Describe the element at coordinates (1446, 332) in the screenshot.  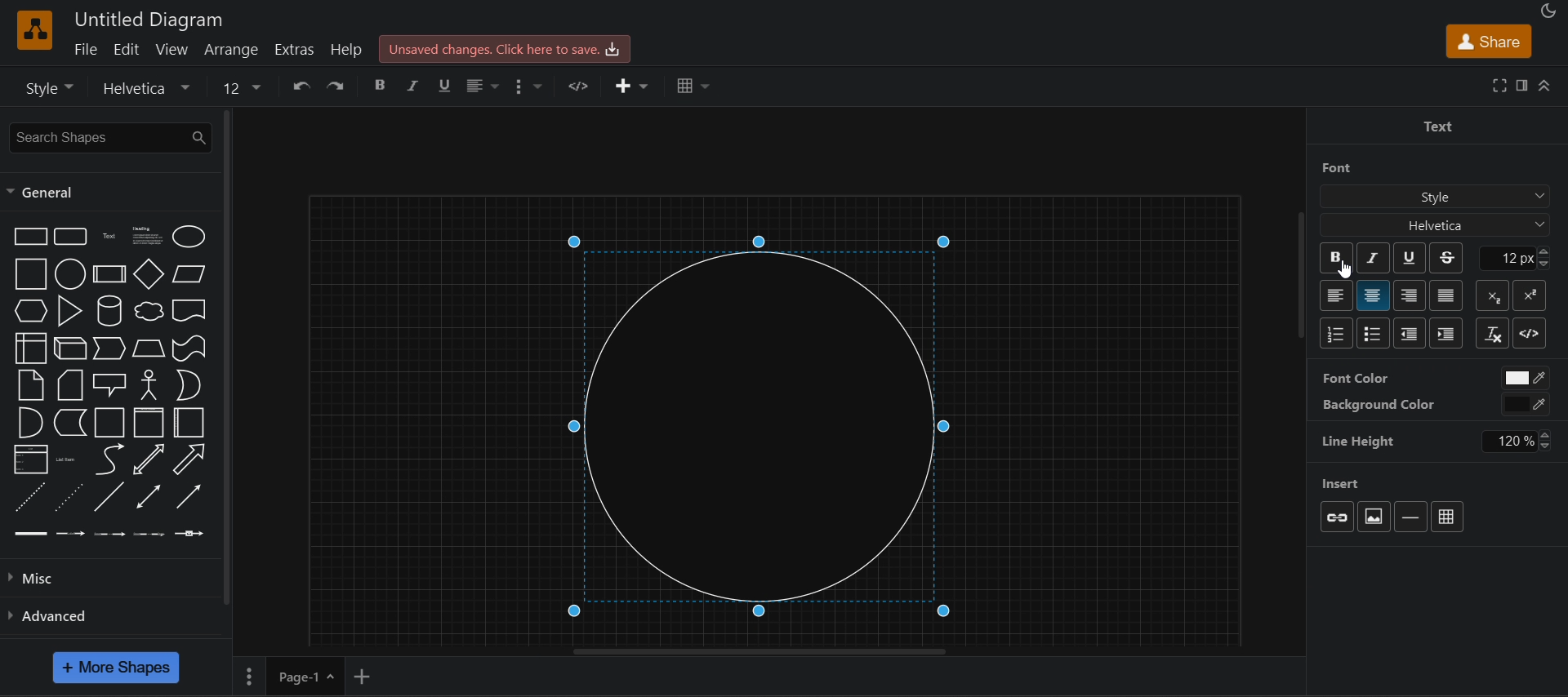
I see `increase indent` at that location.